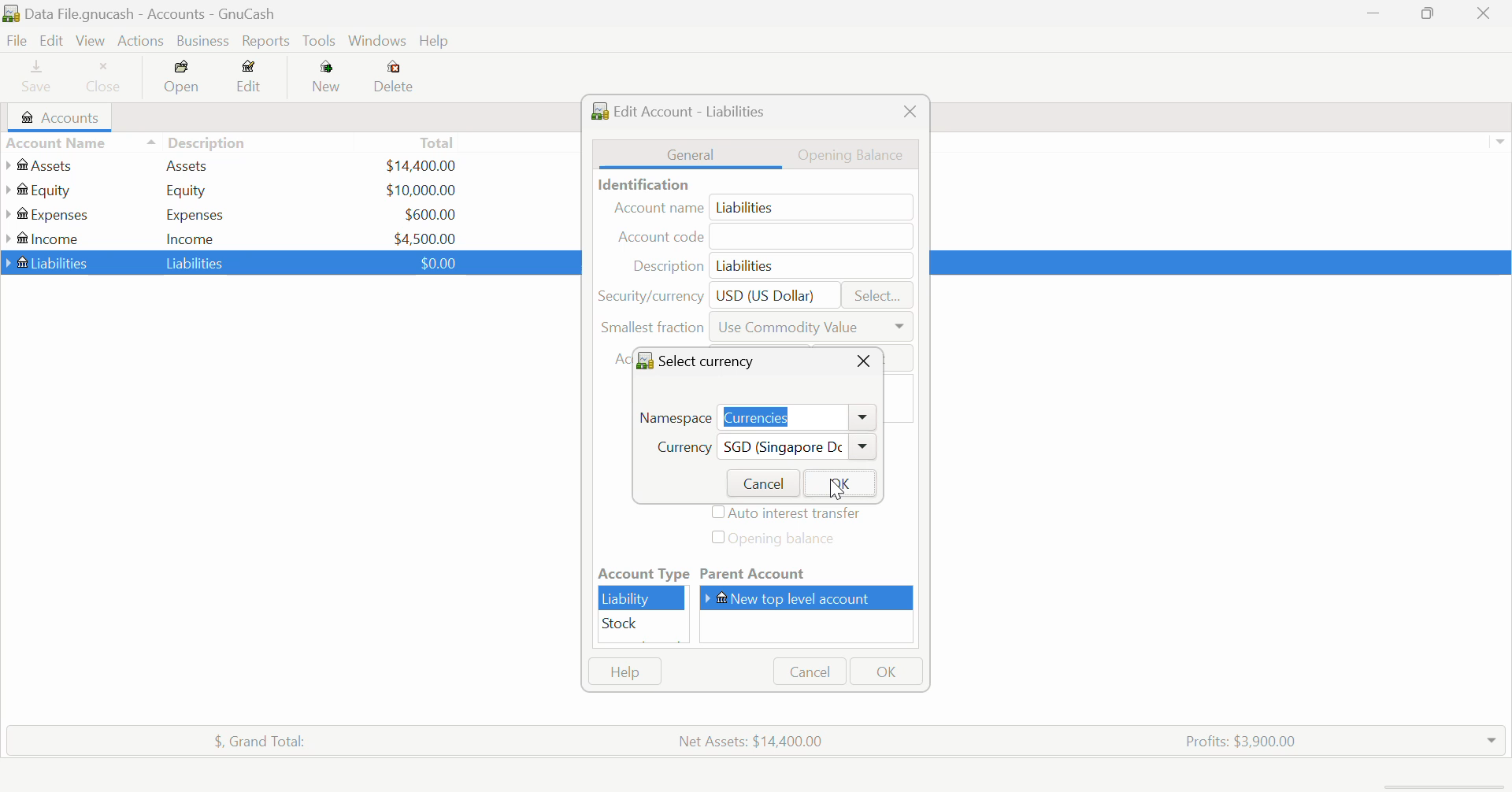 This screenshot has width=1512, height=792. What do you see at coordinates (421, 190) in the screenshot?
I see `USD` at bounding box center [421, 190].